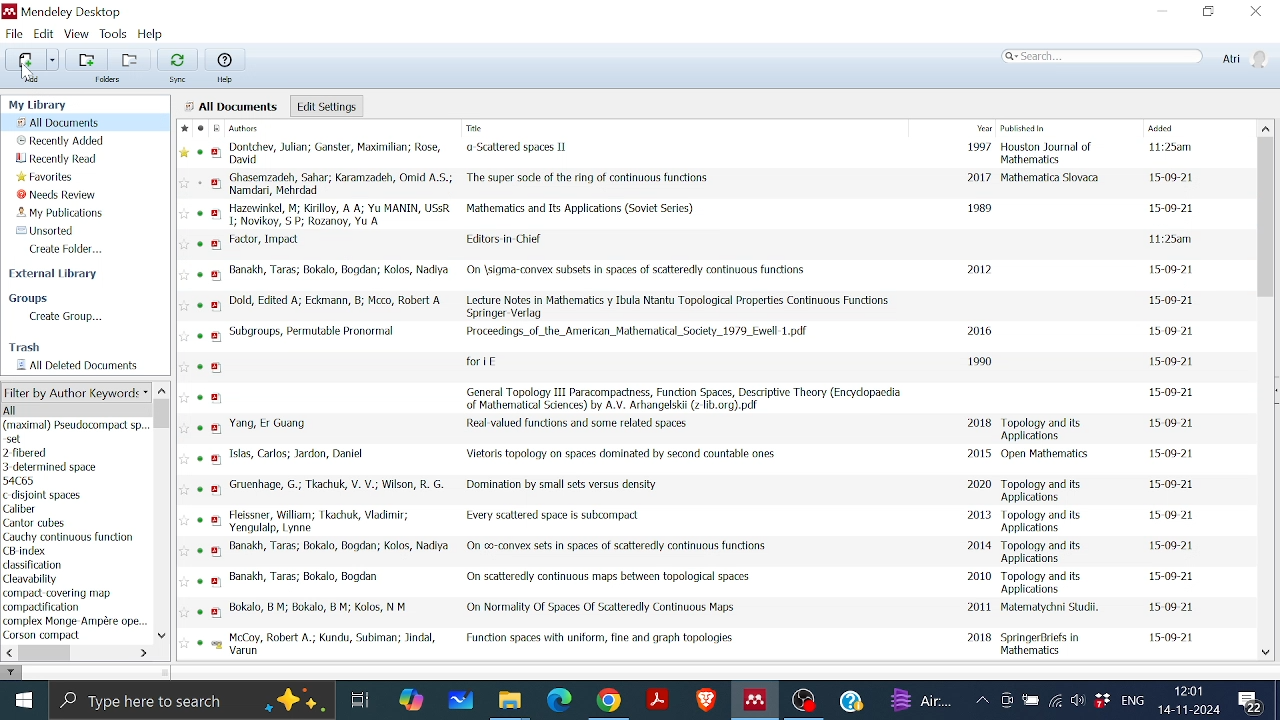 This screenshot has width=1280, height=720. I want to click on File, so click(15, 34).